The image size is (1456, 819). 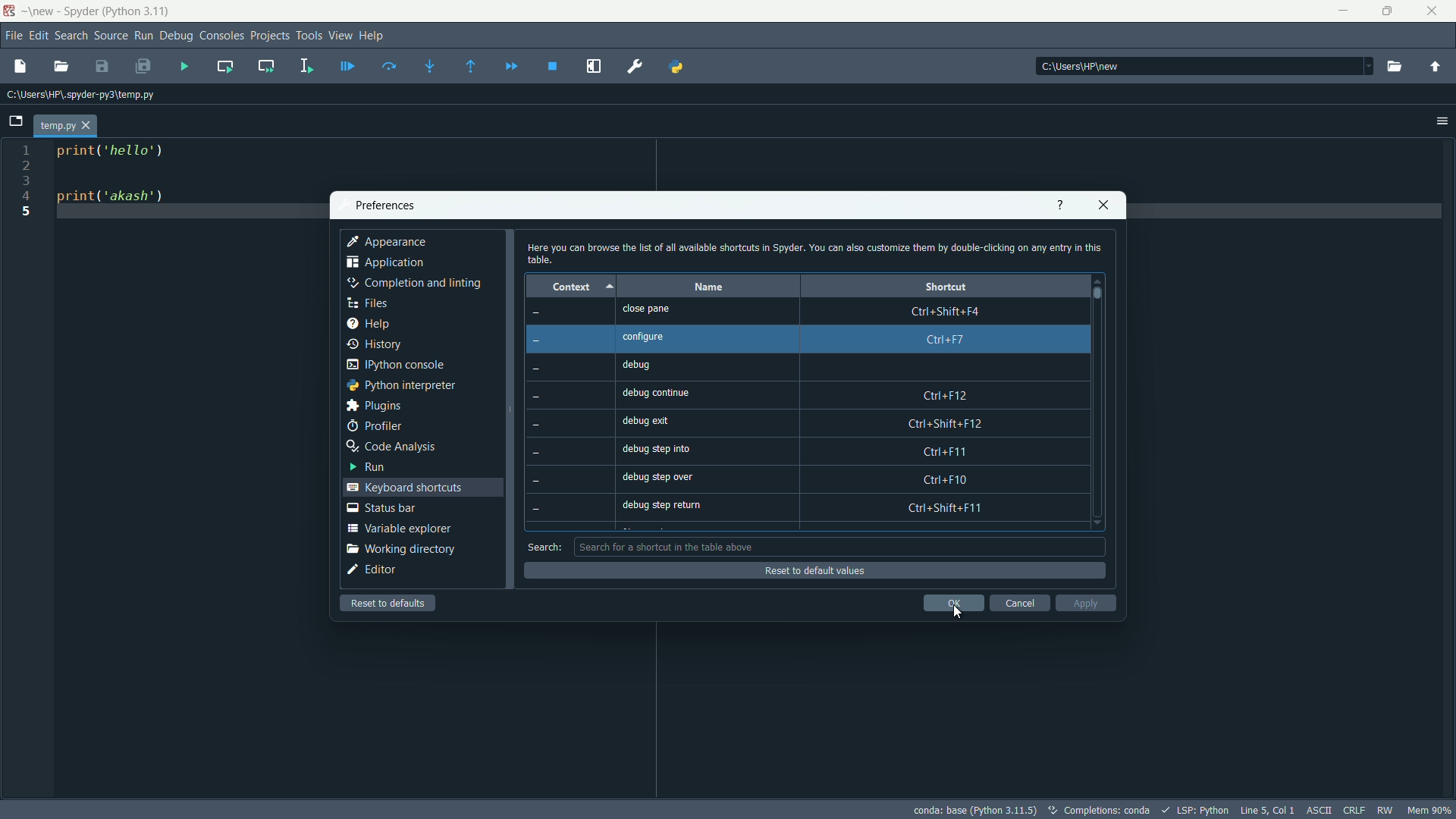 What do you see at coordinates (638, 67) in the screenshot?
I see `preferences` at bounding box center [638, 67].